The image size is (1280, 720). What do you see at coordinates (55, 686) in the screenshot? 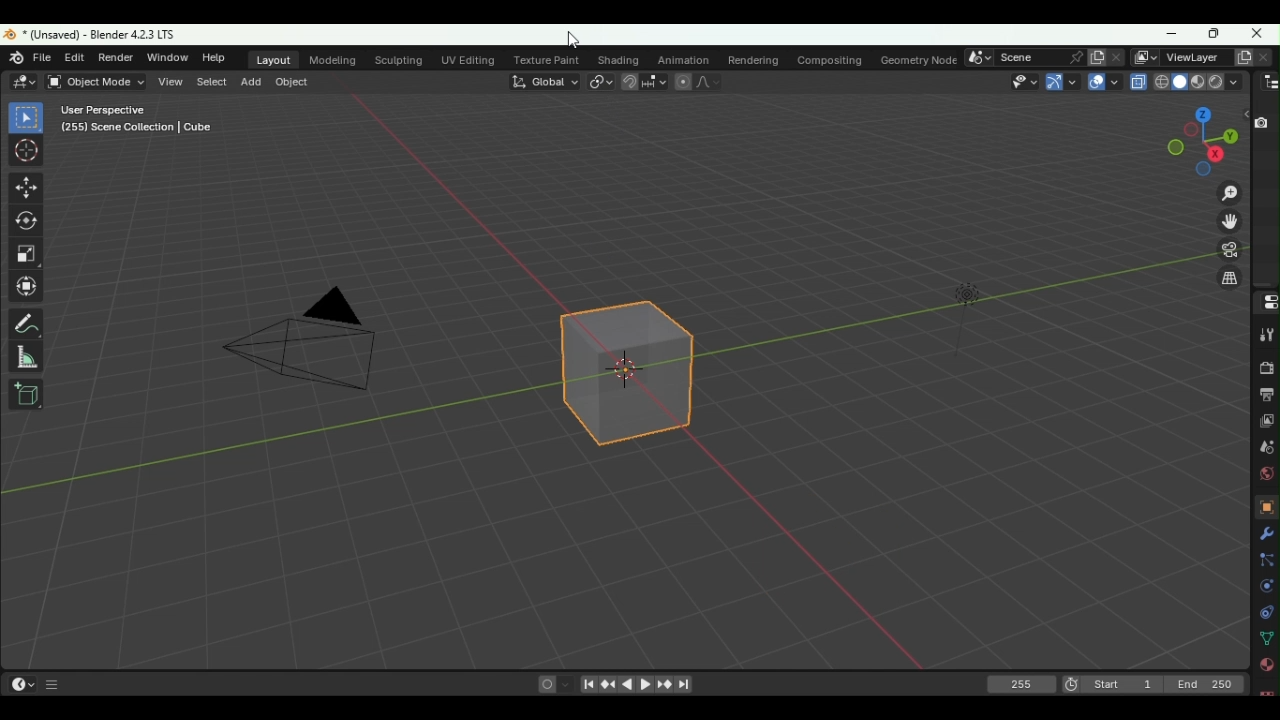
I see `GUI show/hide` at bounding box center [55, 686].